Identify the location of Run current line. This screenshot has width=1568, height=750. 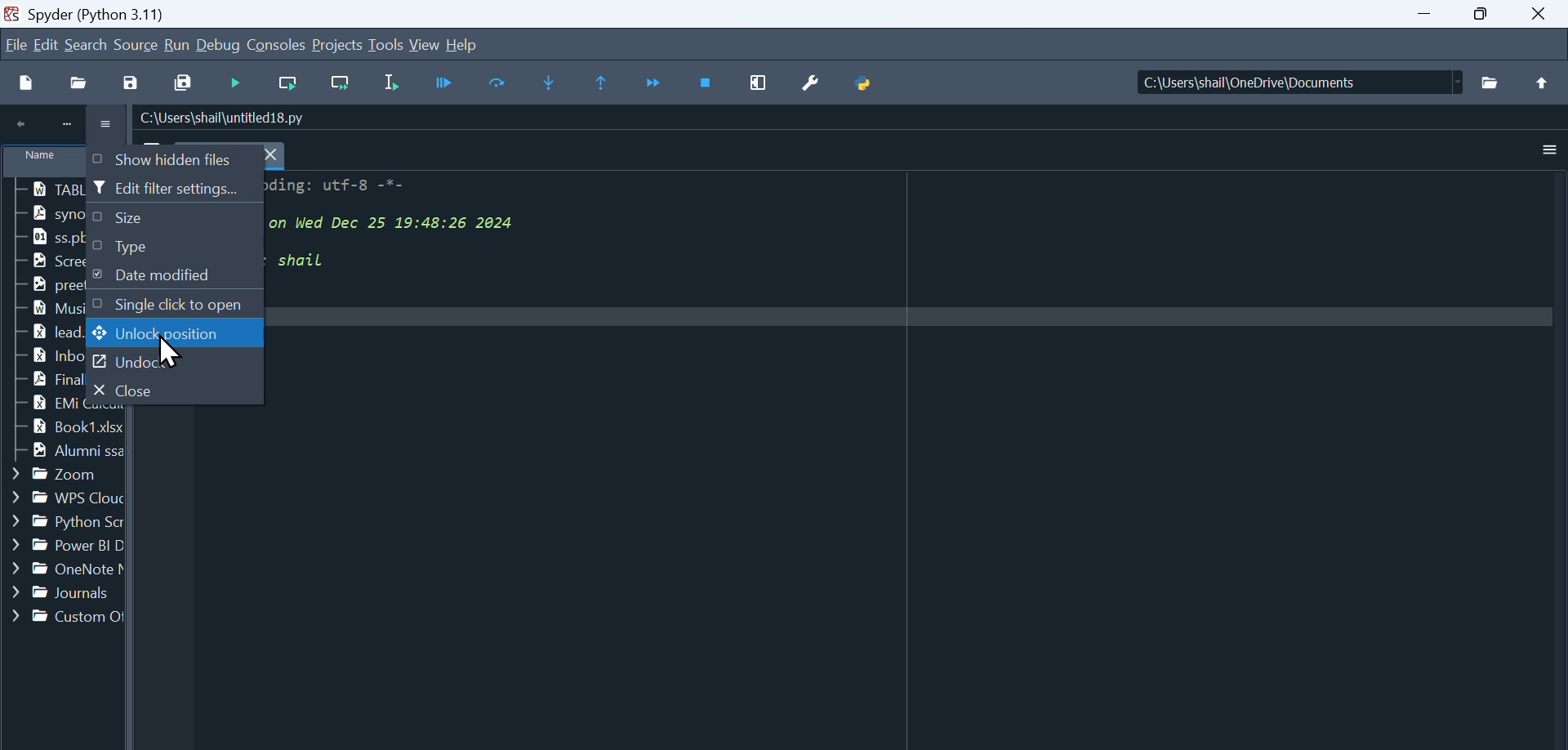
(501, 82).